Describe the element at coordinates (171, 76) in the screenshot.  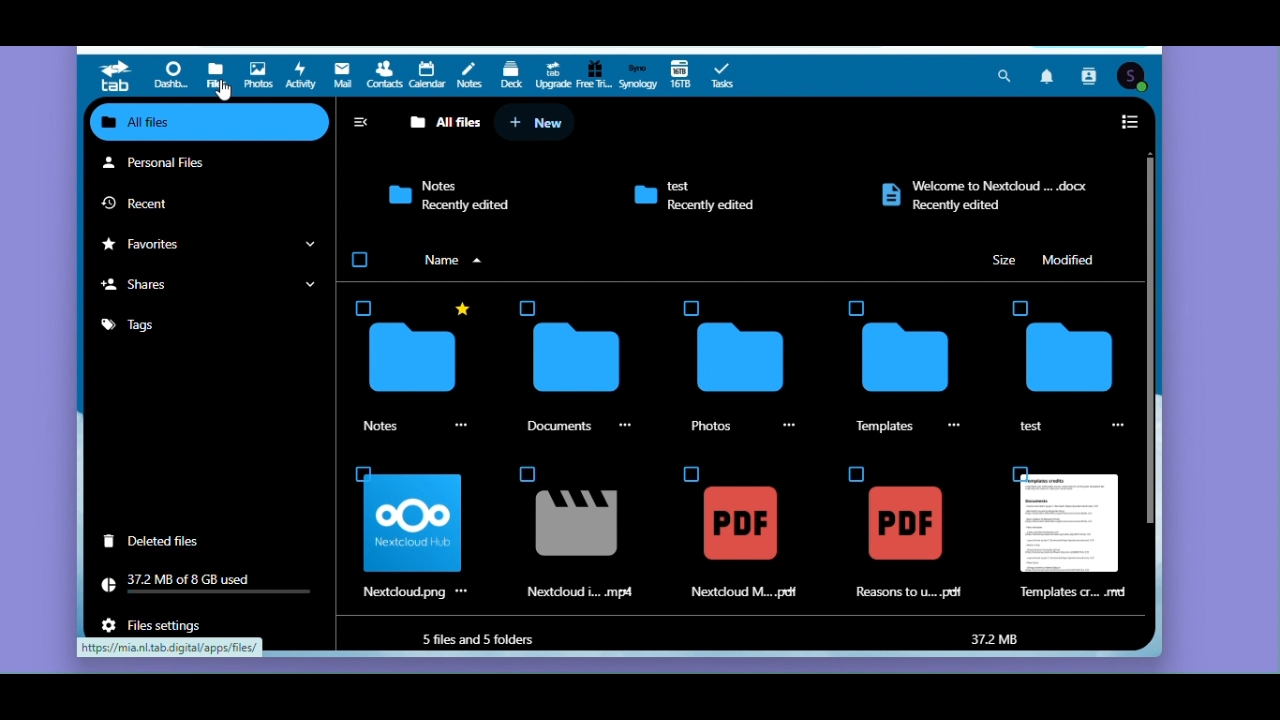
I see `Dashboard` at that location.